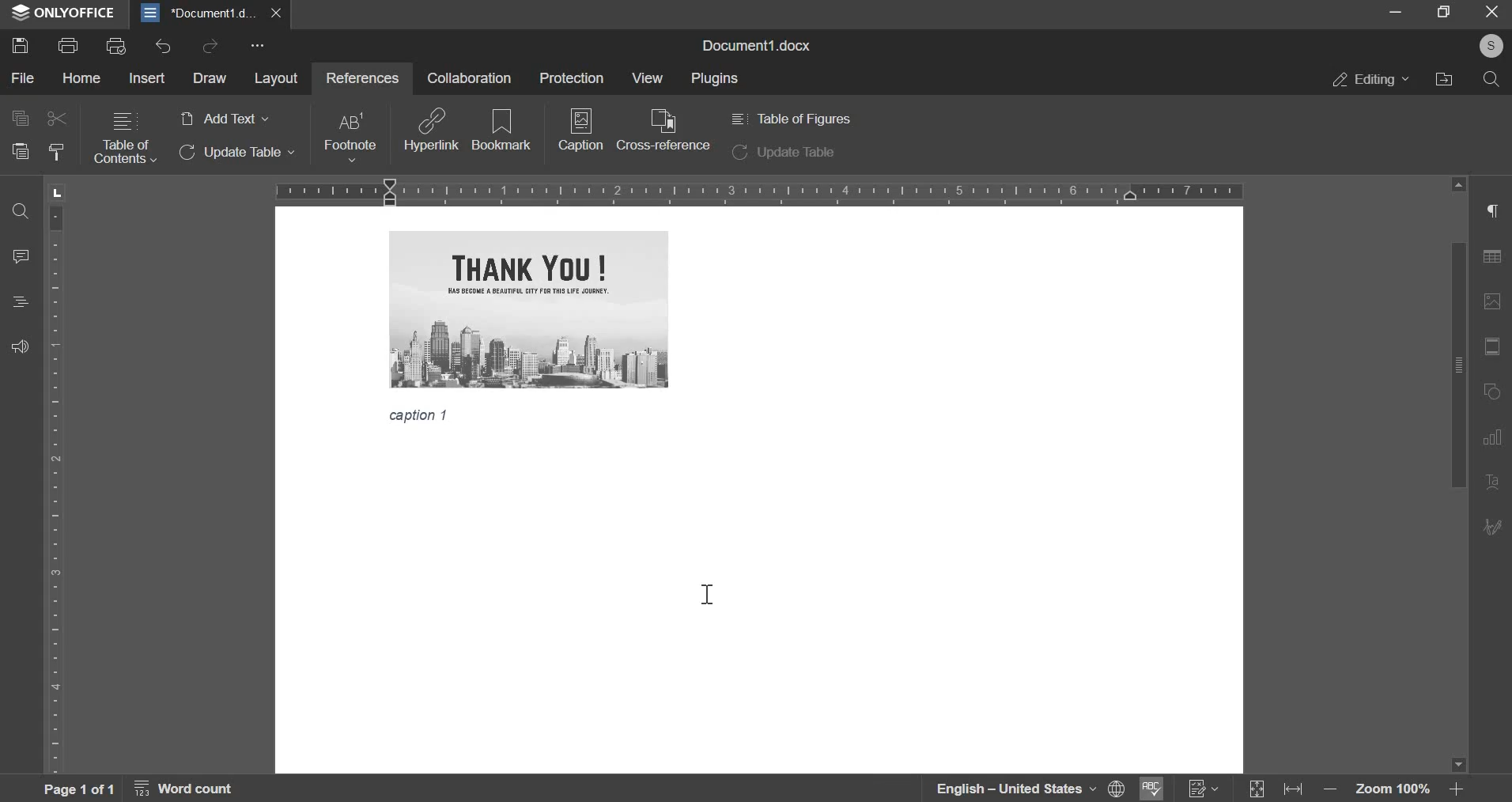 The image size is (1512, 802). What do you see at coordinates (24, 79) in the screenshot?
I see `file` at bounding box center [24, 79].